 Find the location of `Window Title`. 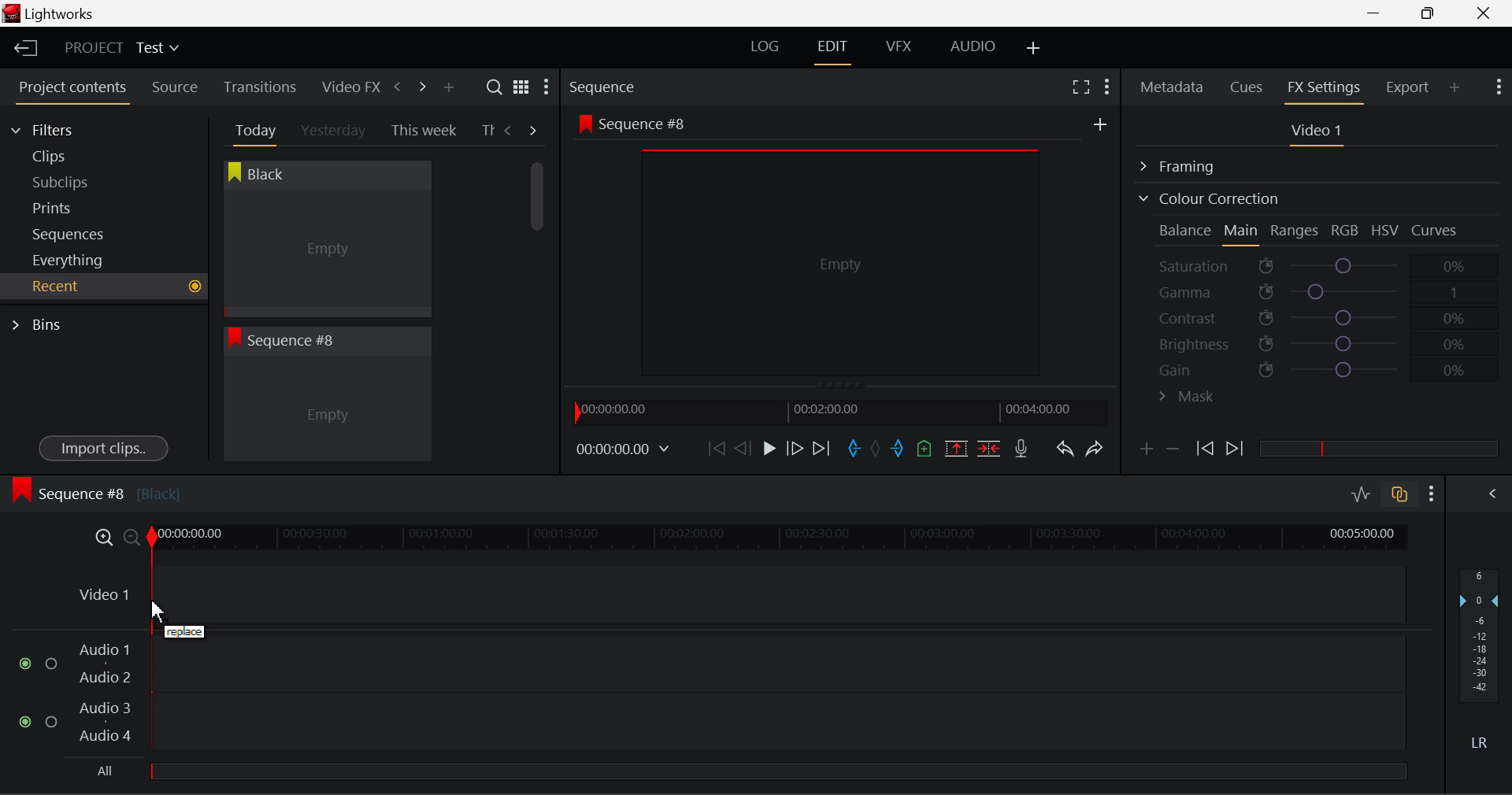

Window Title is located at coordinates (49, 15).